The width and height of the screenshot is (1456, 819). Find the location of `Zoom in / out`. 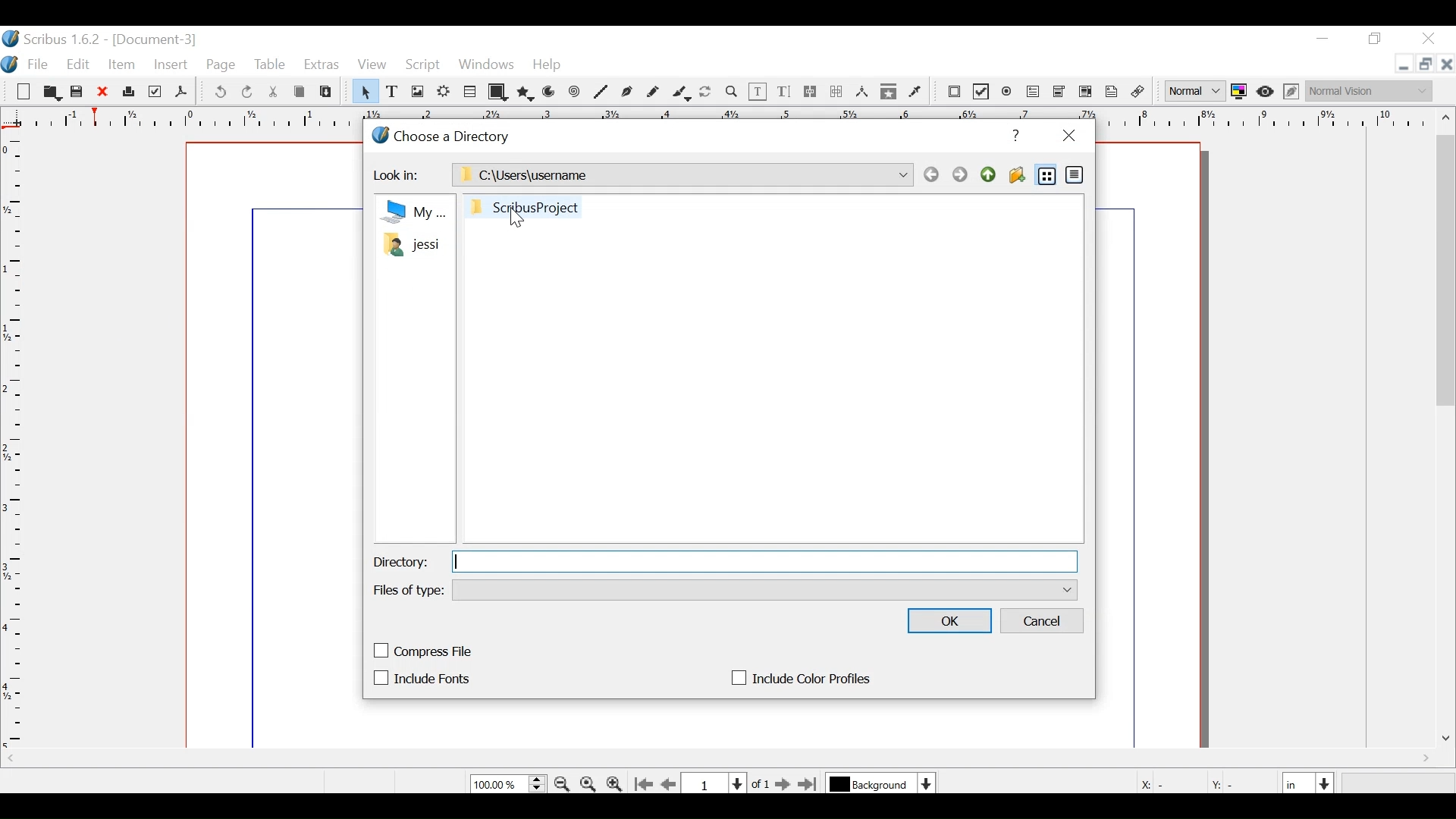

Zoom in / out is located at coordinates (731, 91).